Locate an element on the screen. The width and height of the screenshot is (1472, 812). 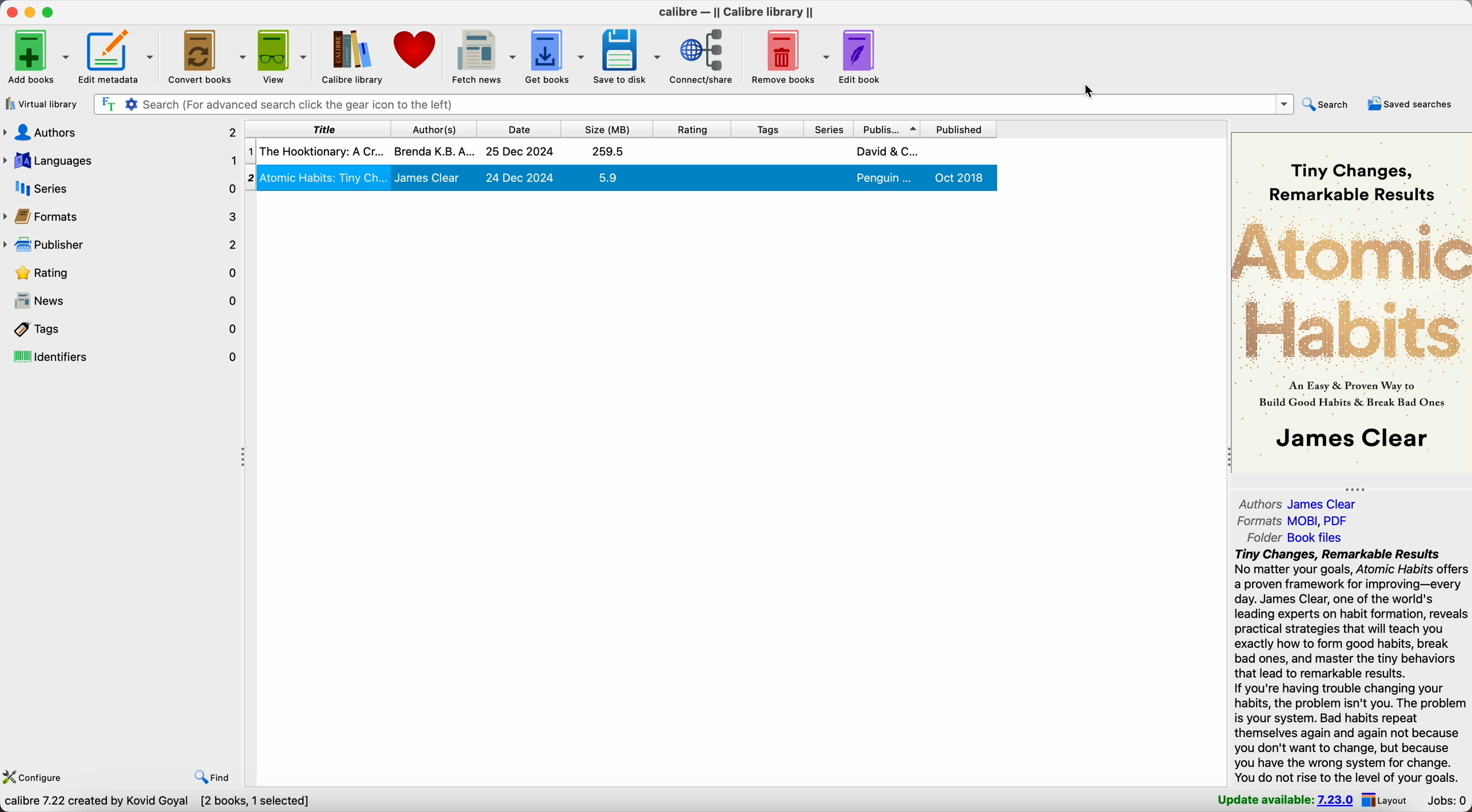
authors is located at coordinates (121, 135).